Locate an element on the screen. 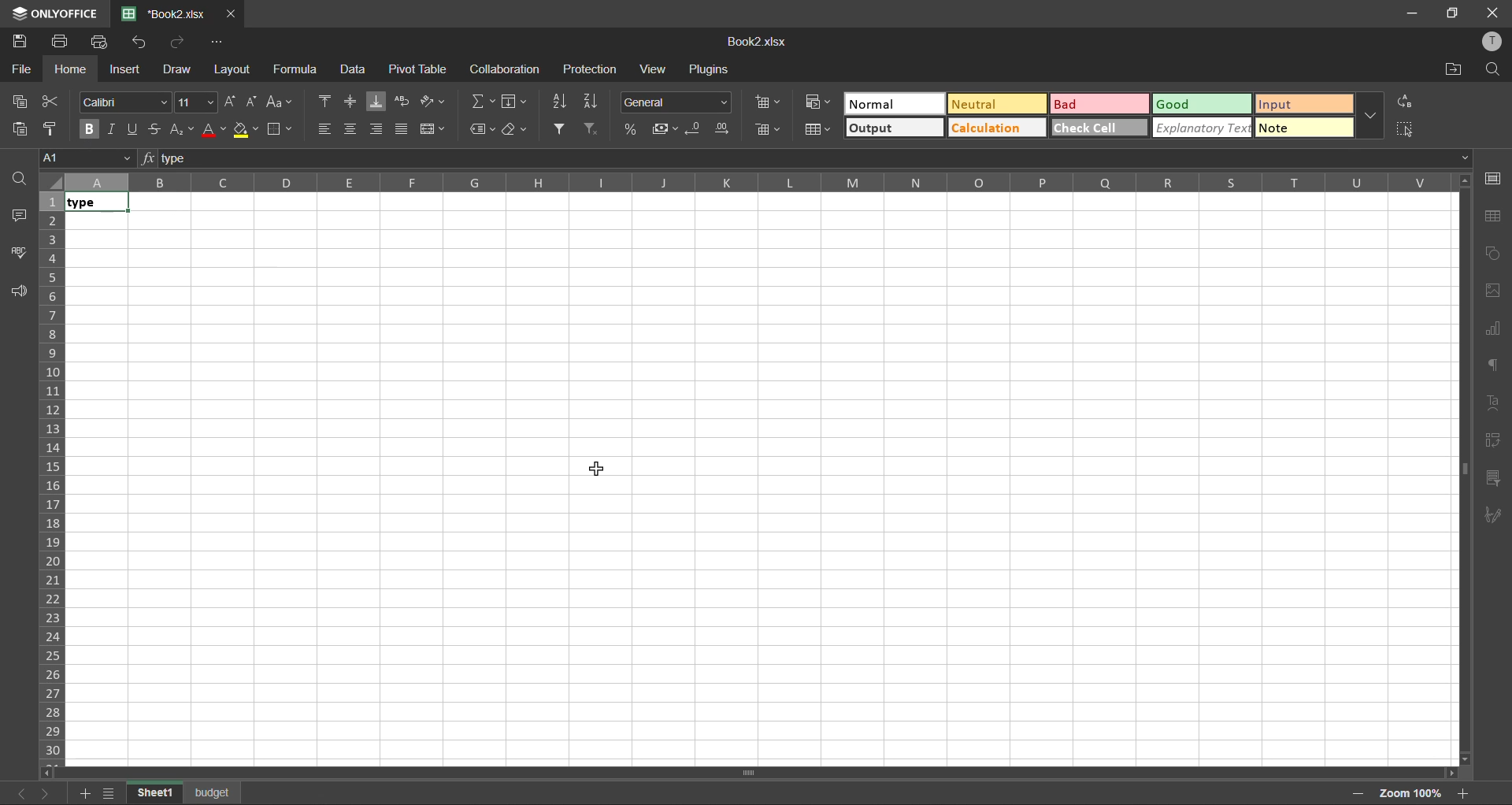 This screenshot has width=1512, height=805. spellcheck is located at coordinates (18, 251).